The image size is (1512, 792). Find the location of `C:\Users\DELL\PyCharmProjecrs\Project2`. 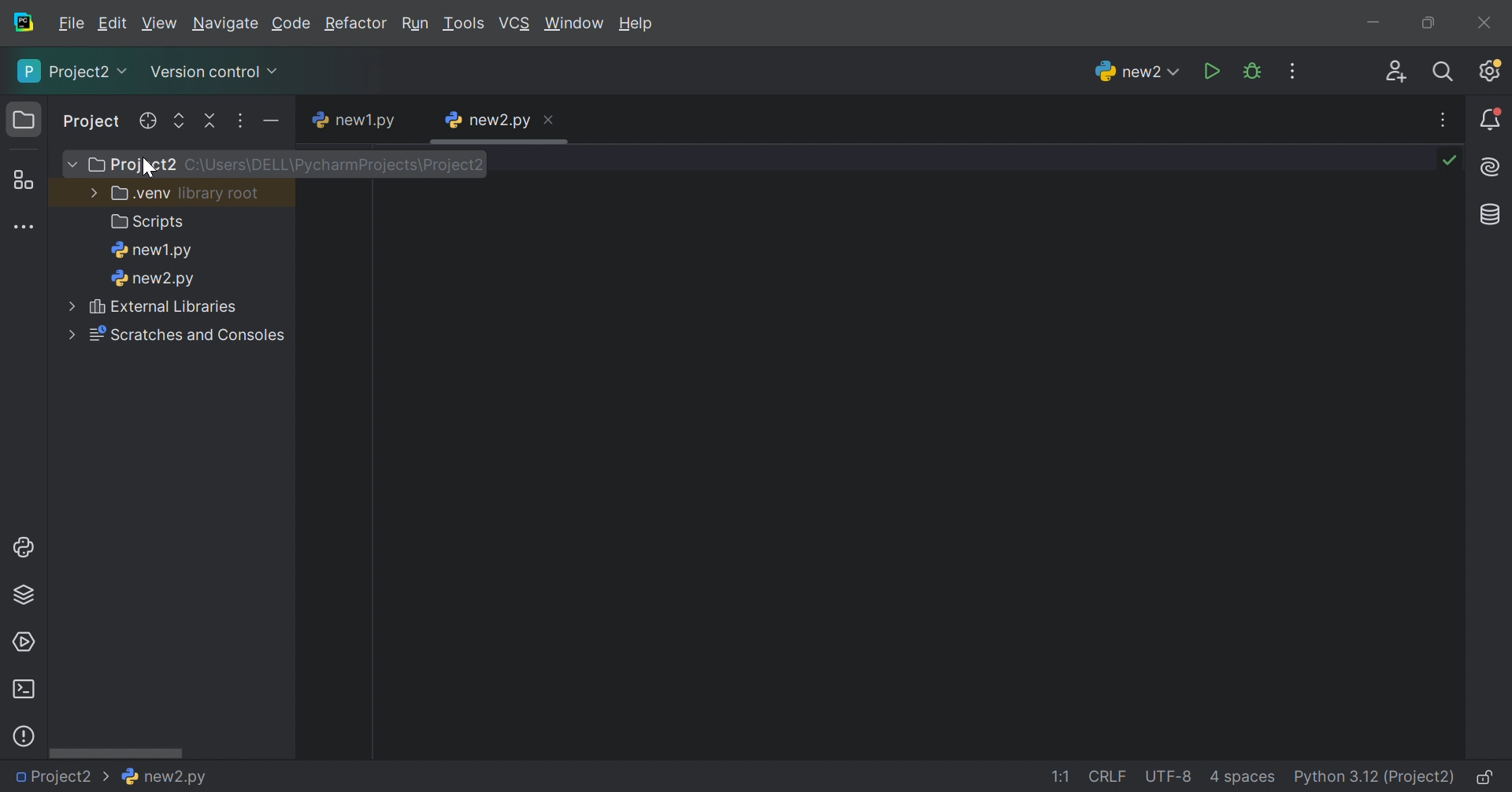

C:\Users\DELL\PyCharmProjecrs\Project2 is located at coordinates (339, 165).